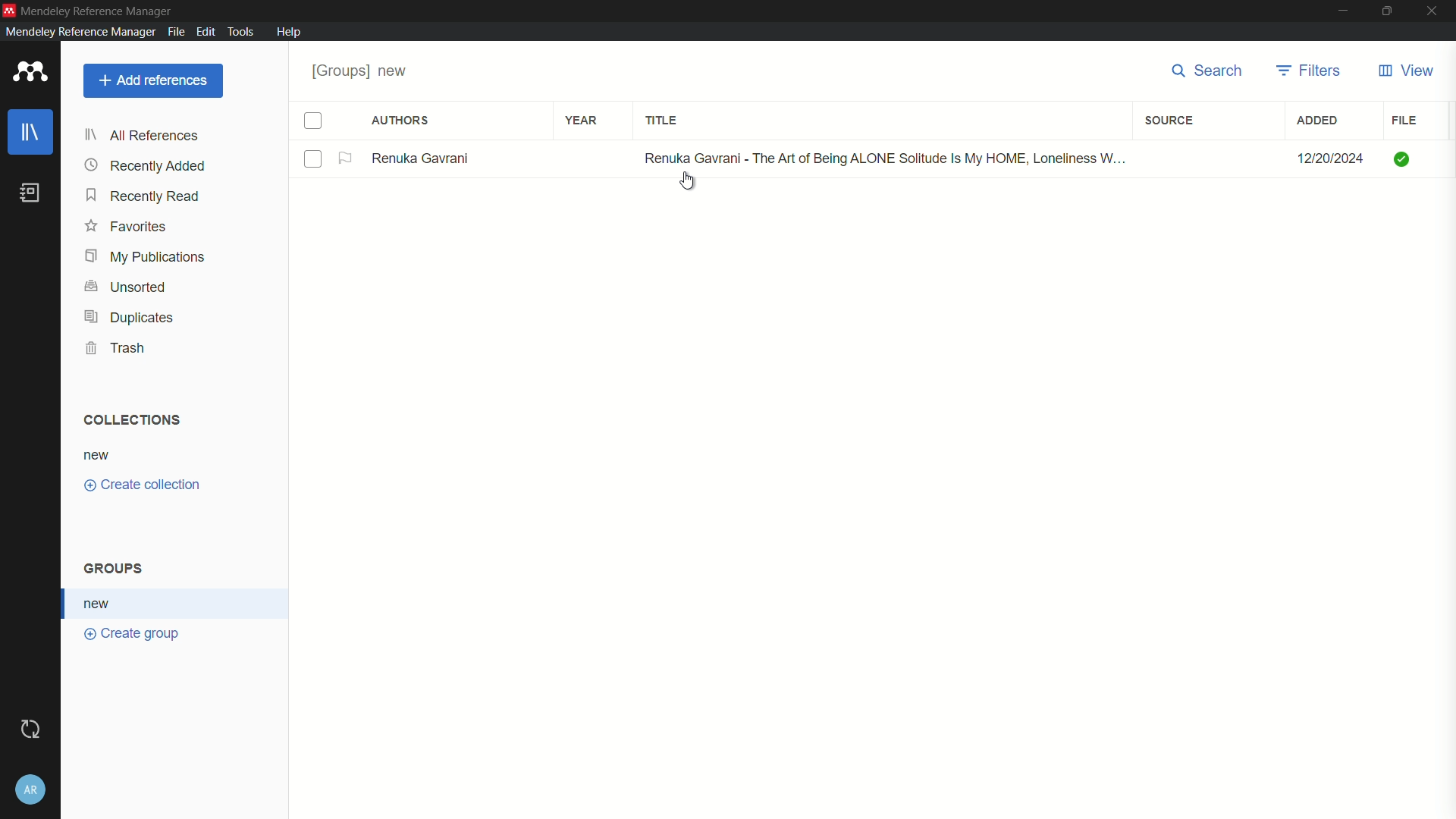  I want to click on unsorted, so click(128, 287).